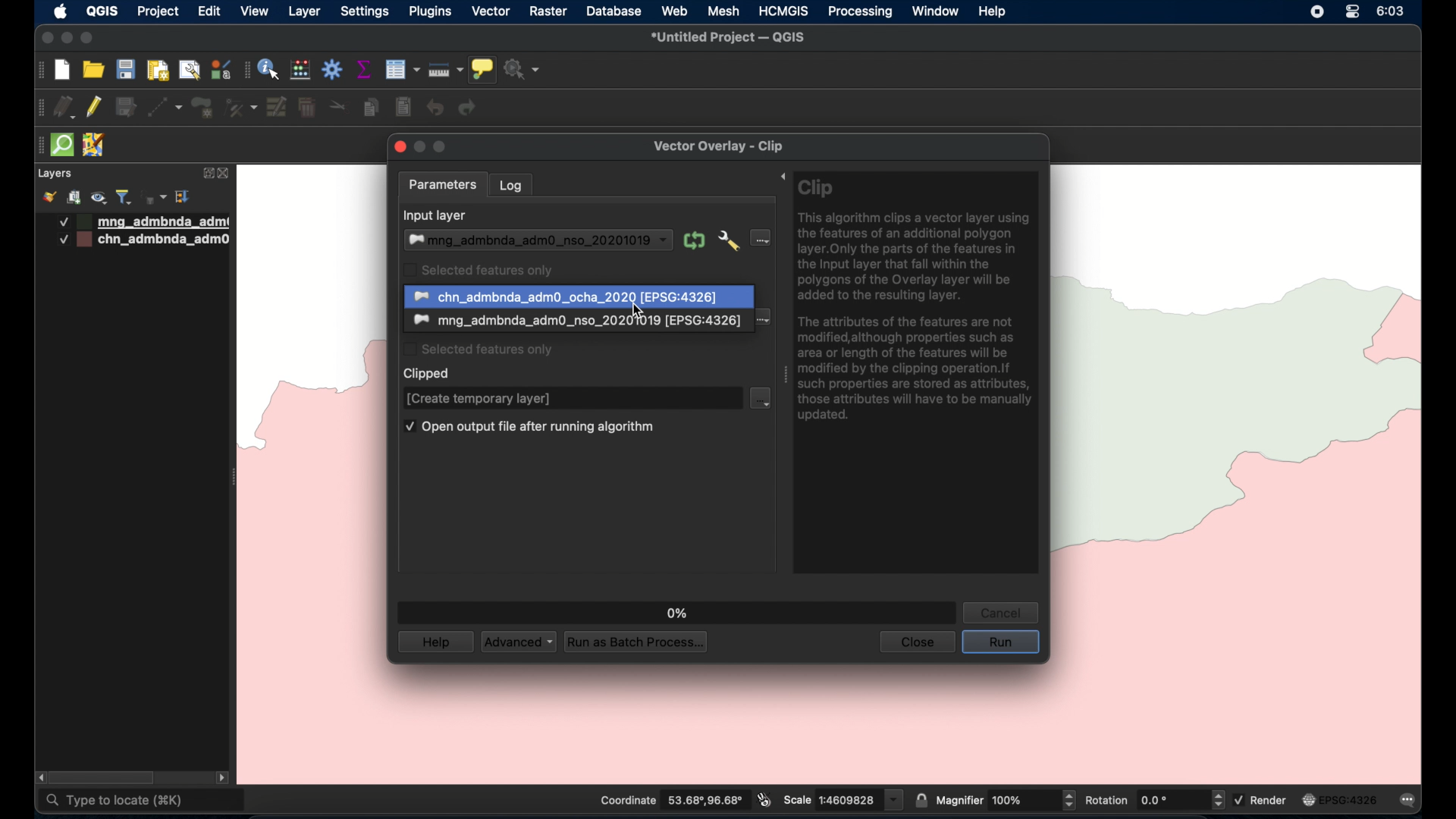 This screenshot has width=1456, height=819. Describe the element at coordinates (511, 185) in the screenshot. I see `log` at that location.